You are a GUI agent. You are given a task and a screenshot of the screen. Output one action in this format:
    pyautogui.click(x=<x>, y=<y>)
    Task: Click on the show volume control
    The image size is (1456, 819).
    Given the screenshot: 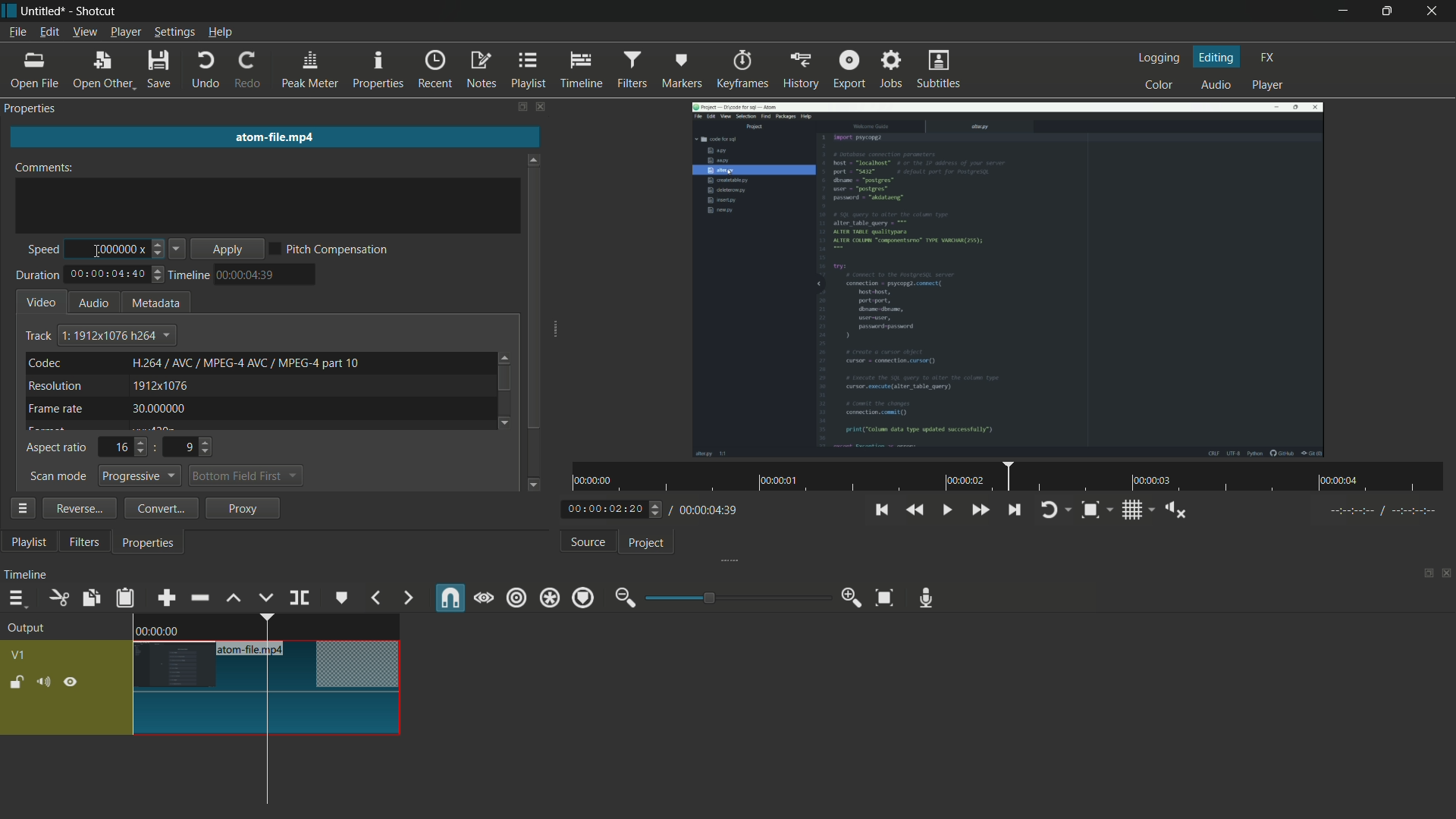 What is the action you would take?
    pyautogui.click(x=1171, y=510)
    